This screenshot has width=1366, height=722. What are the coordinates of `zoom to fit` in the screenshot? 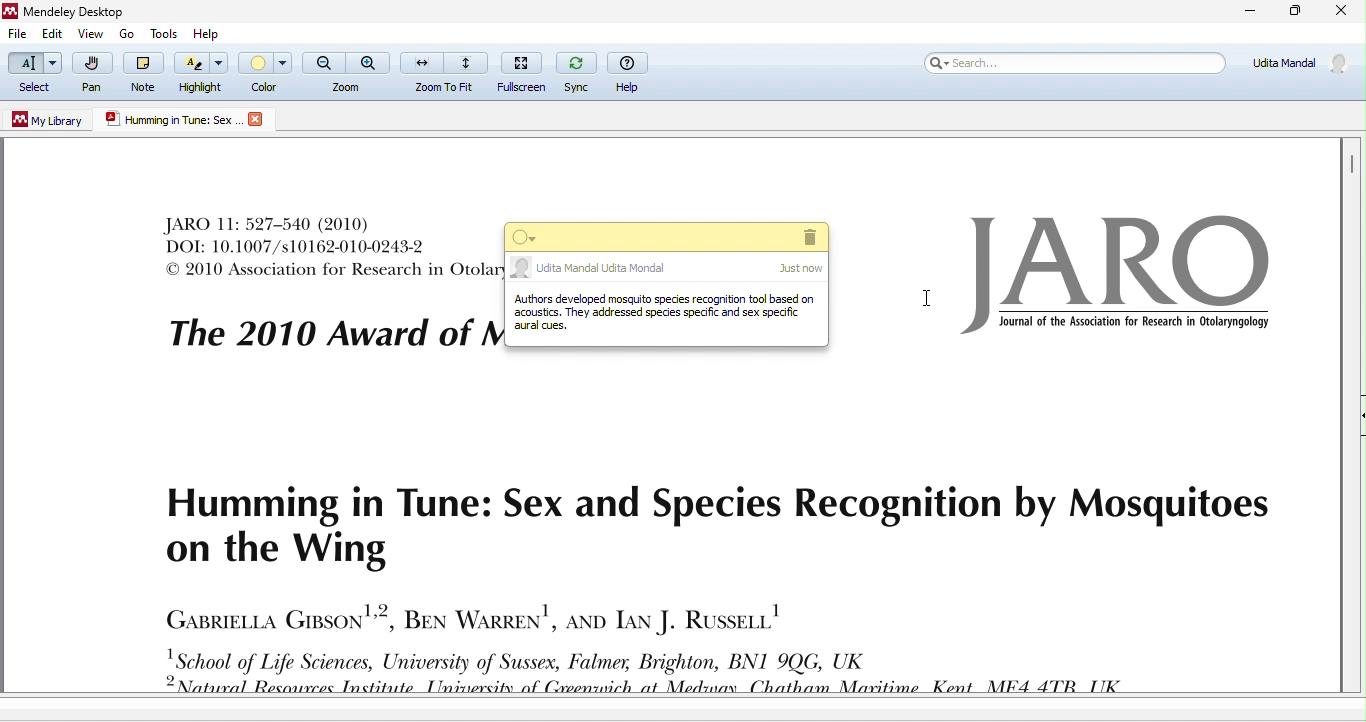 It's located at (446, 72).